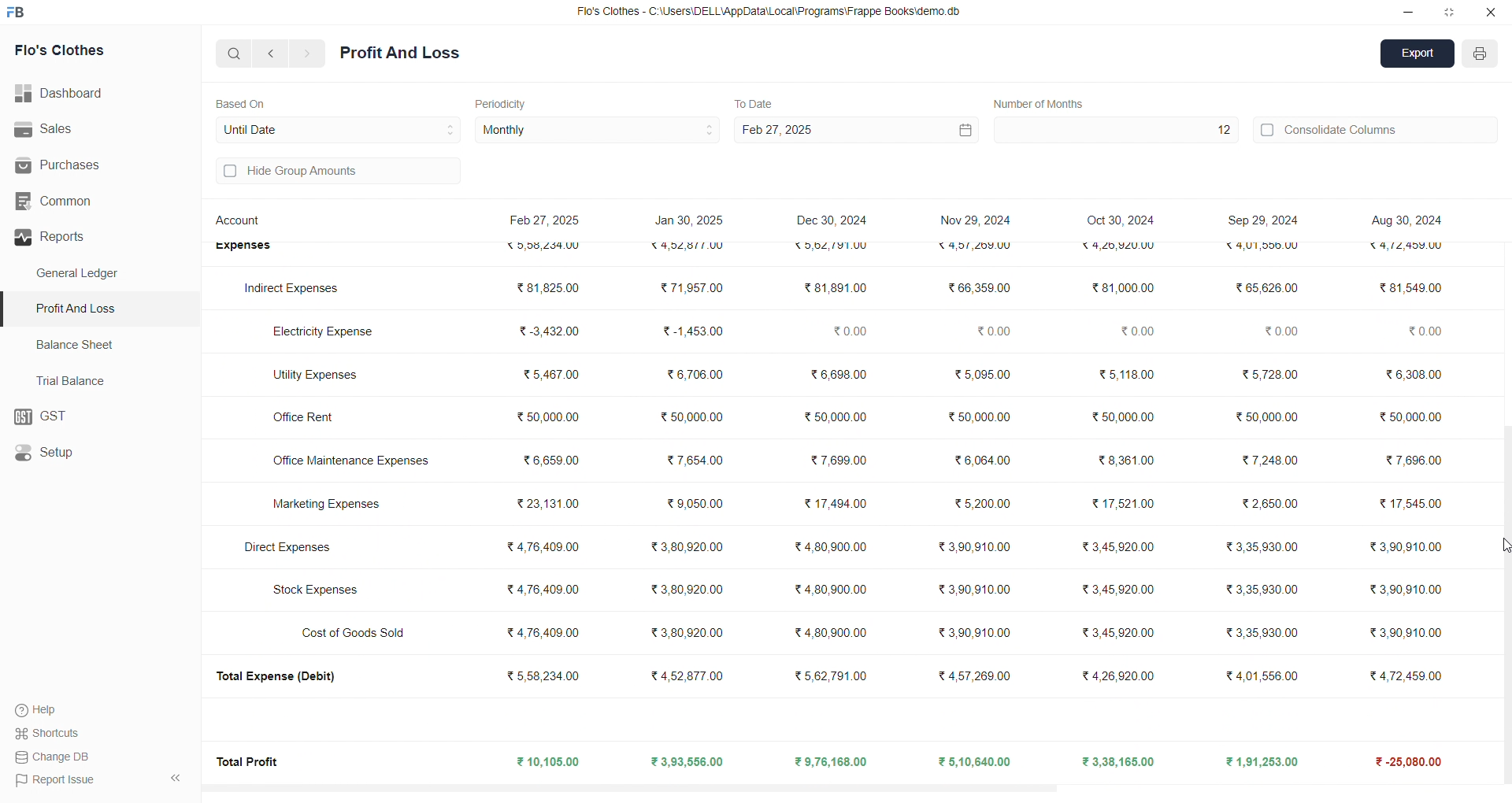  Describe the element at coordinates (1449, 12) in the screenshot. I see `resize` at that location.